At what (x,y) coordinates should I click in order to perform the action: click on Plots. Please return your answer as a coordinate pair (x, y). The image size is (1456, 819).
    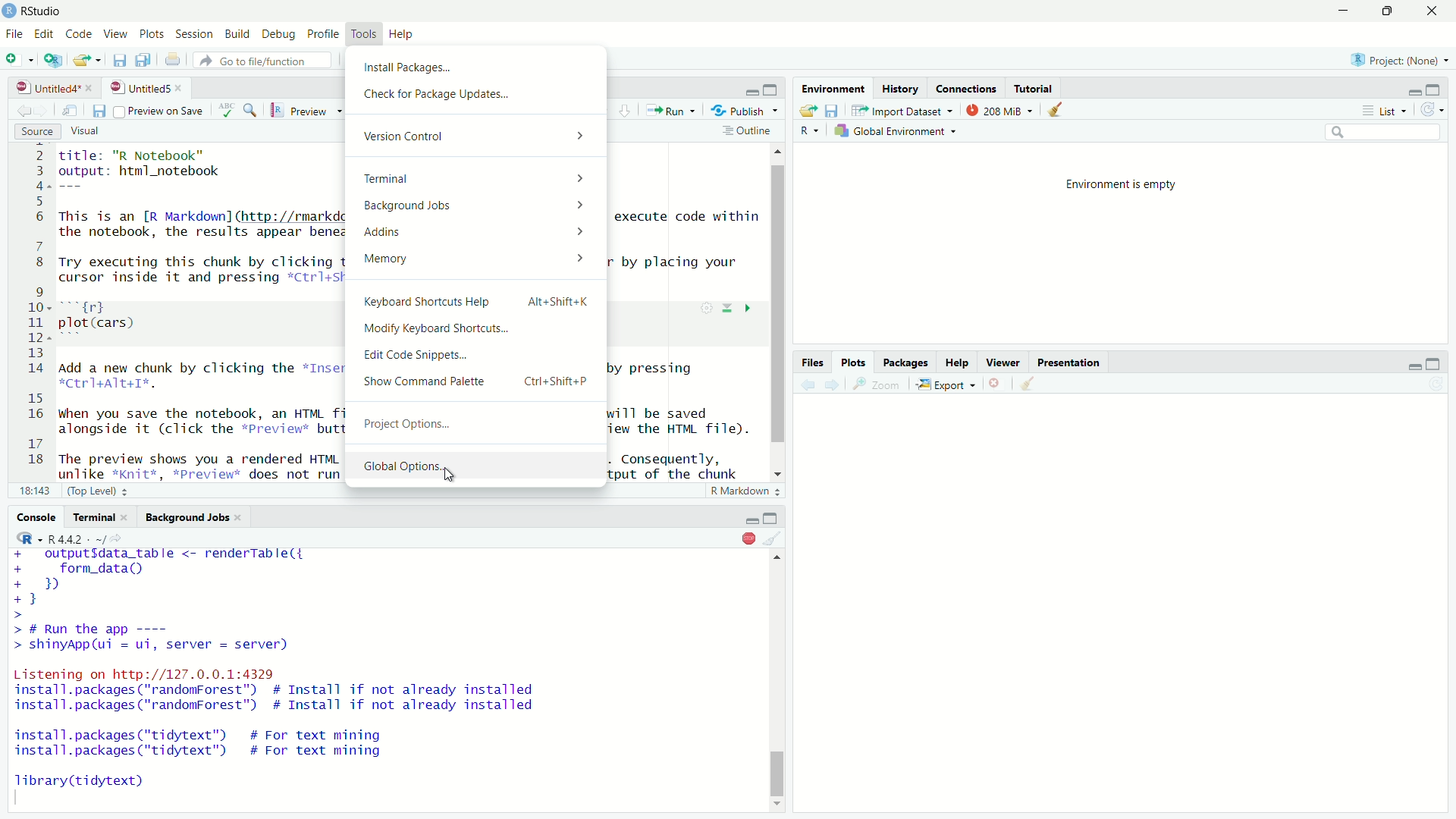
    Looking at the image, I should click on (152, 35).